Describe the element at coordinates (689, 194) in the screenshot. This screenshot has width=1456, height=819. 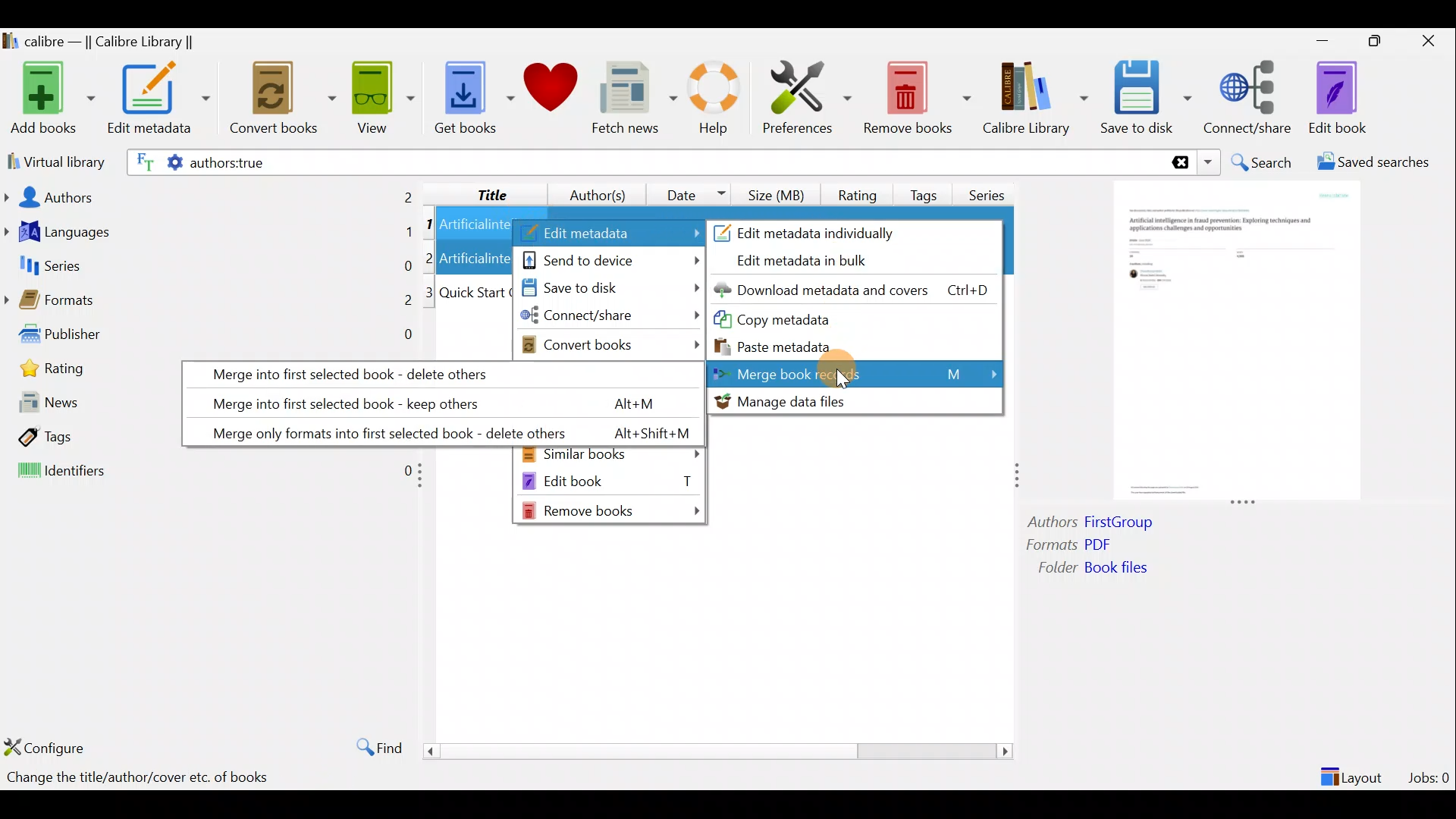
I see `Date` at that location.